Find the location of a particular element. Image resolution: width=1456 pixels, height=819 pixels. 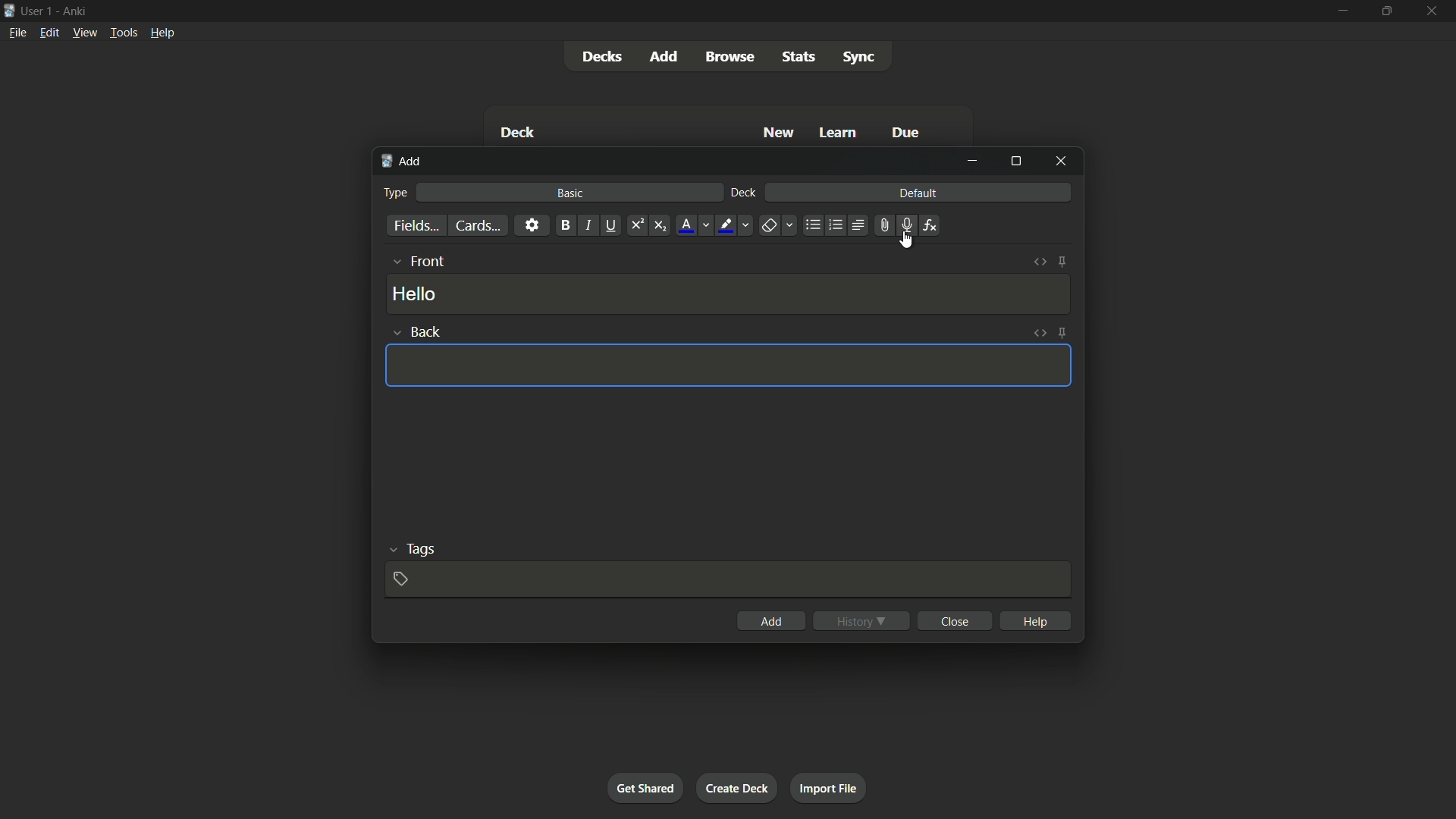

close window is located at coordinates (1061, 162).